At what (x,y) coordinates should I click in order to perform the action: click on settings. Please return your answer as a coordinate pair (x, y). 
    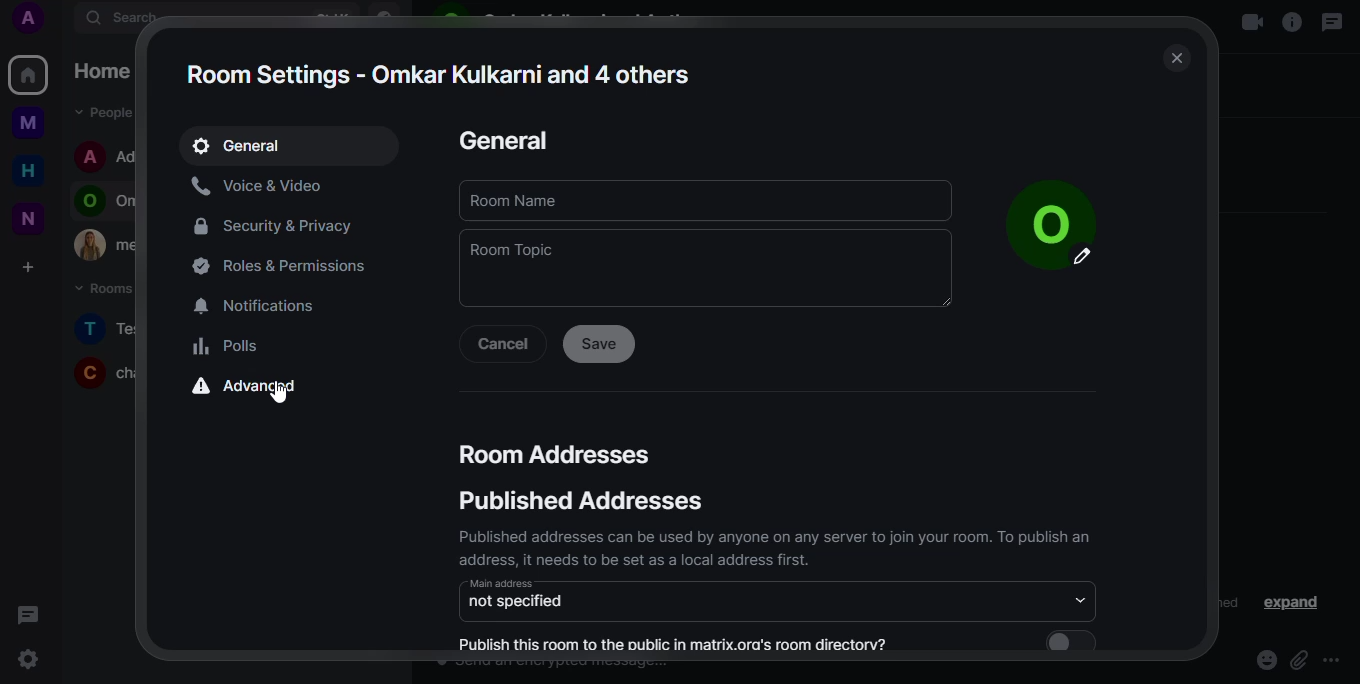
    Looking at the image, I should click on (30, 660).